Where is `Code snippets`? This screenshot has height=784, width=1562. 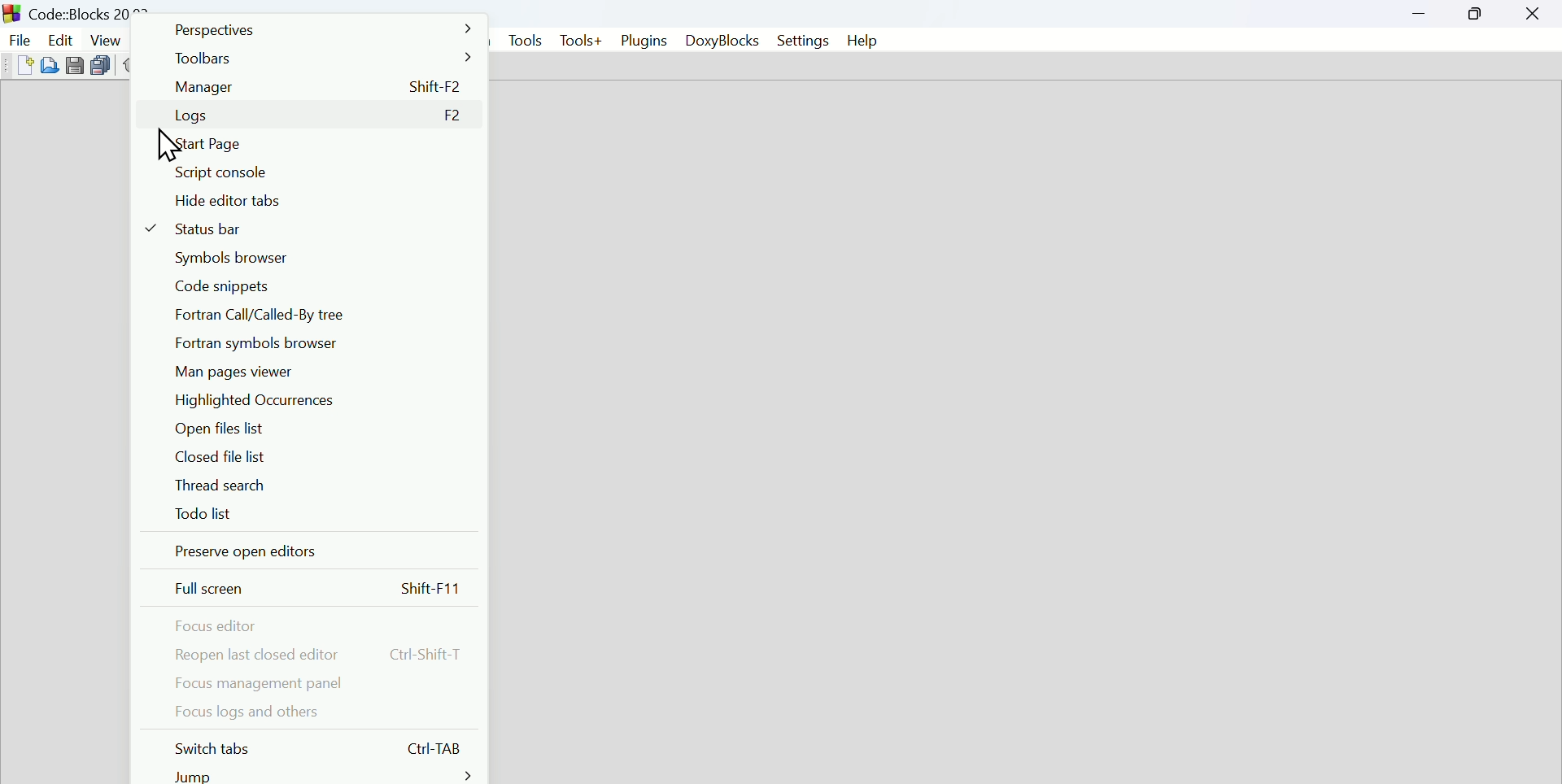
Code snippets is located at coordinates (321, 288).